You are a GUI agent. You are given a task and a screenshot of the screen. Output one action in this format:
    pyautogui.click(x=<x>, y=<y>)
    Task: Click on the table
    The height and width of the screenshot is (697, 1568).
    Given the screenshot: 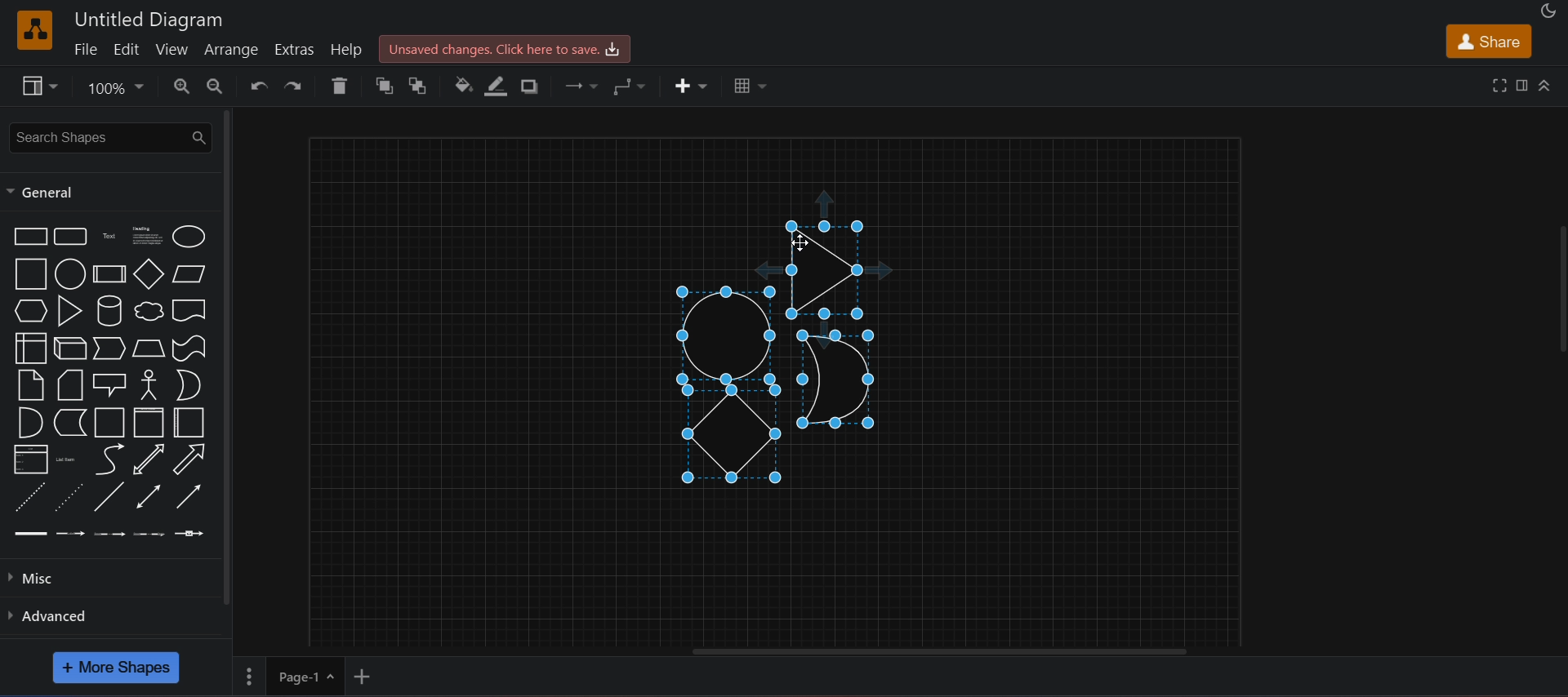 What is the action you would take?
    pyautogui.click(x=747, y=85)
    